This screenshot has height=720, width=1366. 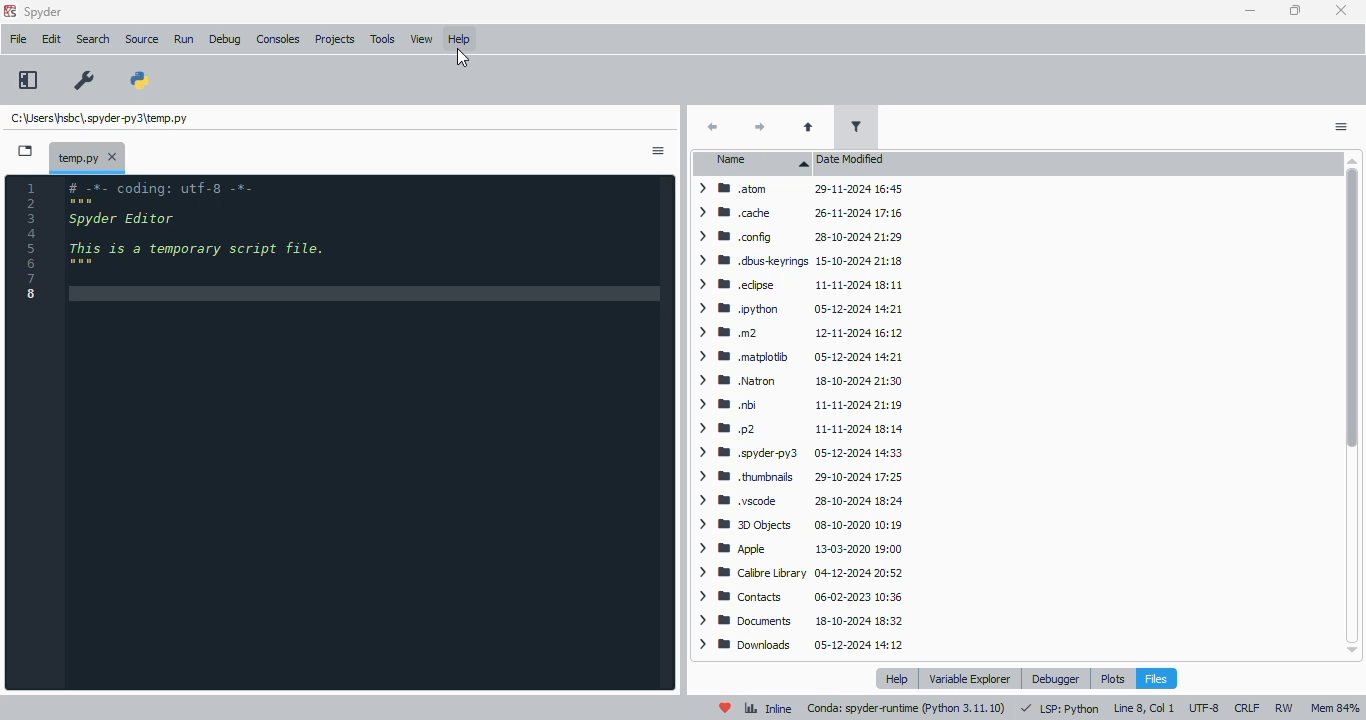 What do you see at coordinates (26, 151) in the screenshot?
I see `browse tabs` at bounding box center [26, 151].